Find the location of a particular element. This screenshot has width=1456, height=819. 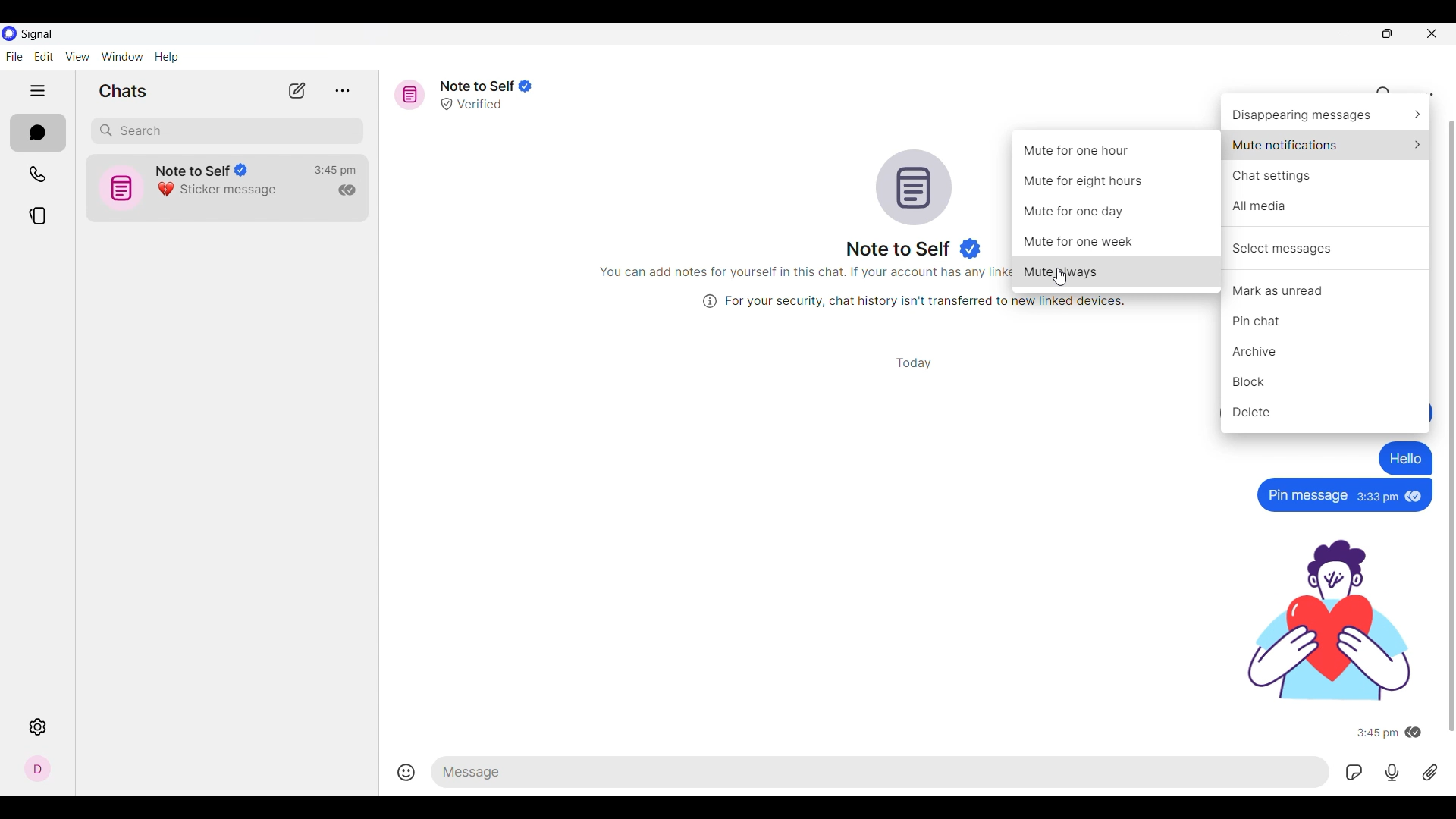

Note to Self  is located at coordinates (488, 85).